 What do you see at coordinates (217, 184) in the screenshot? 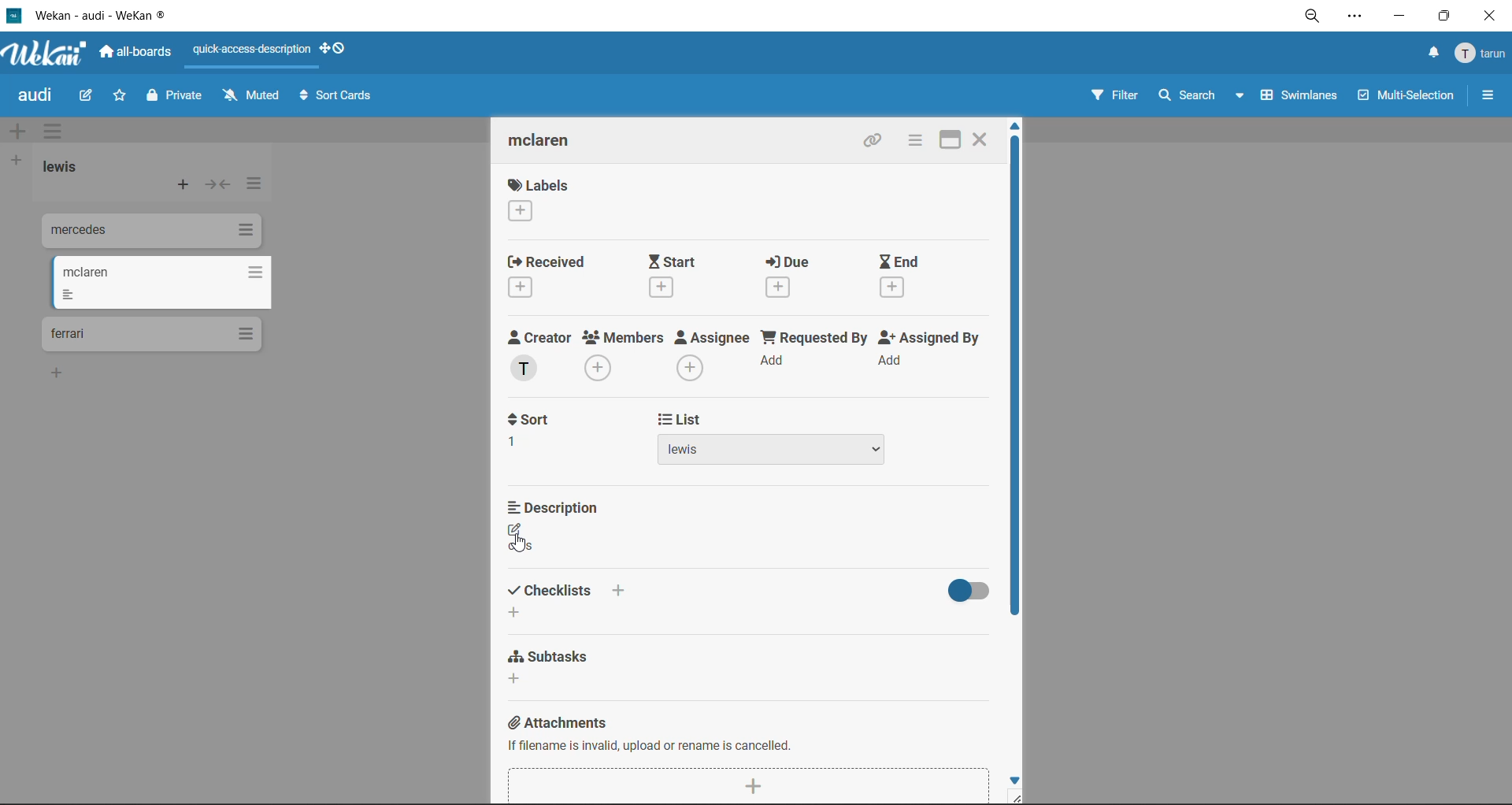
I see `collapse` at bounding box center [217, 184].